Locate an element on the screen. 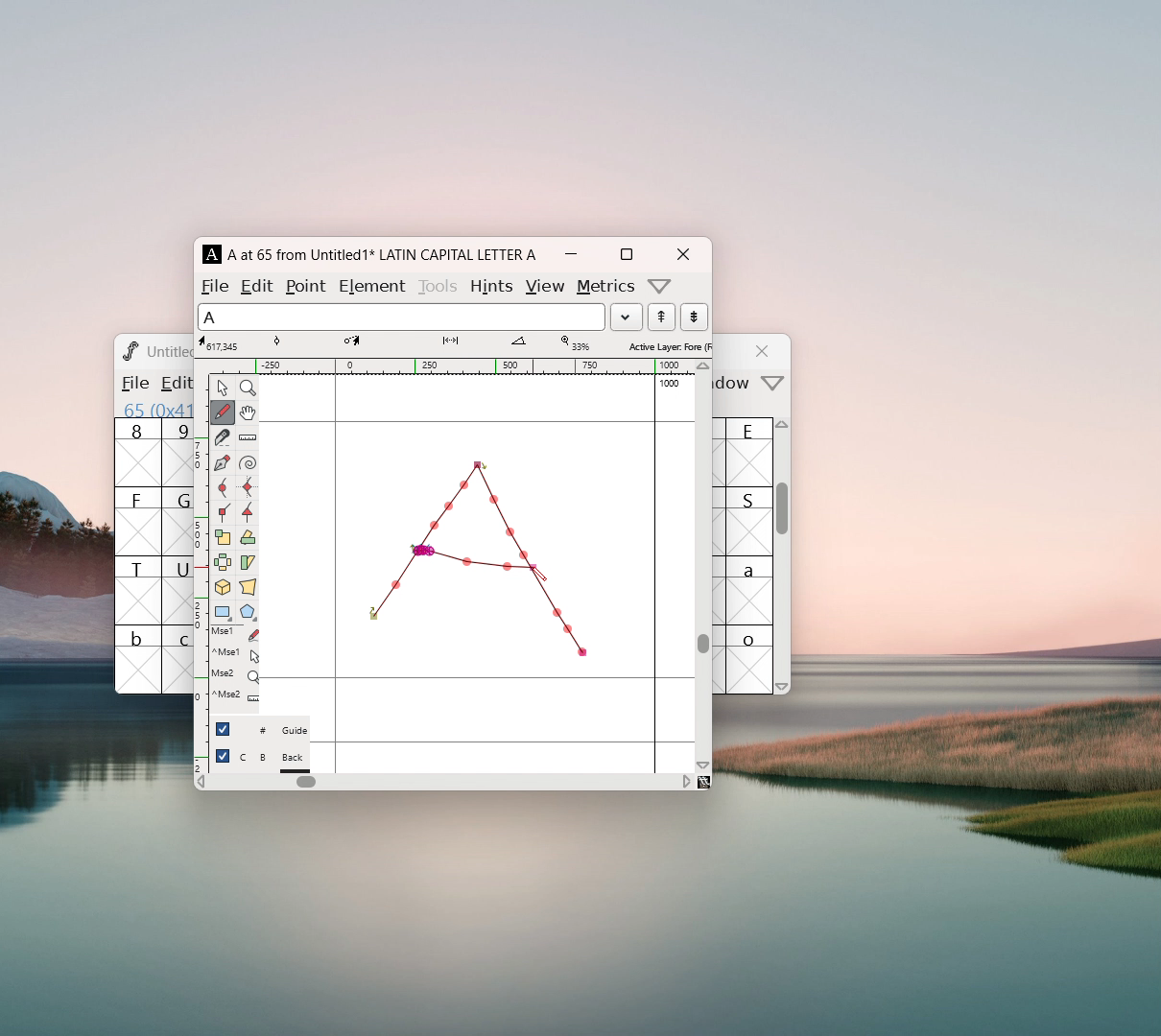 This screenshot has width=1161, height=1036. T is located at coordinates (138, 590).